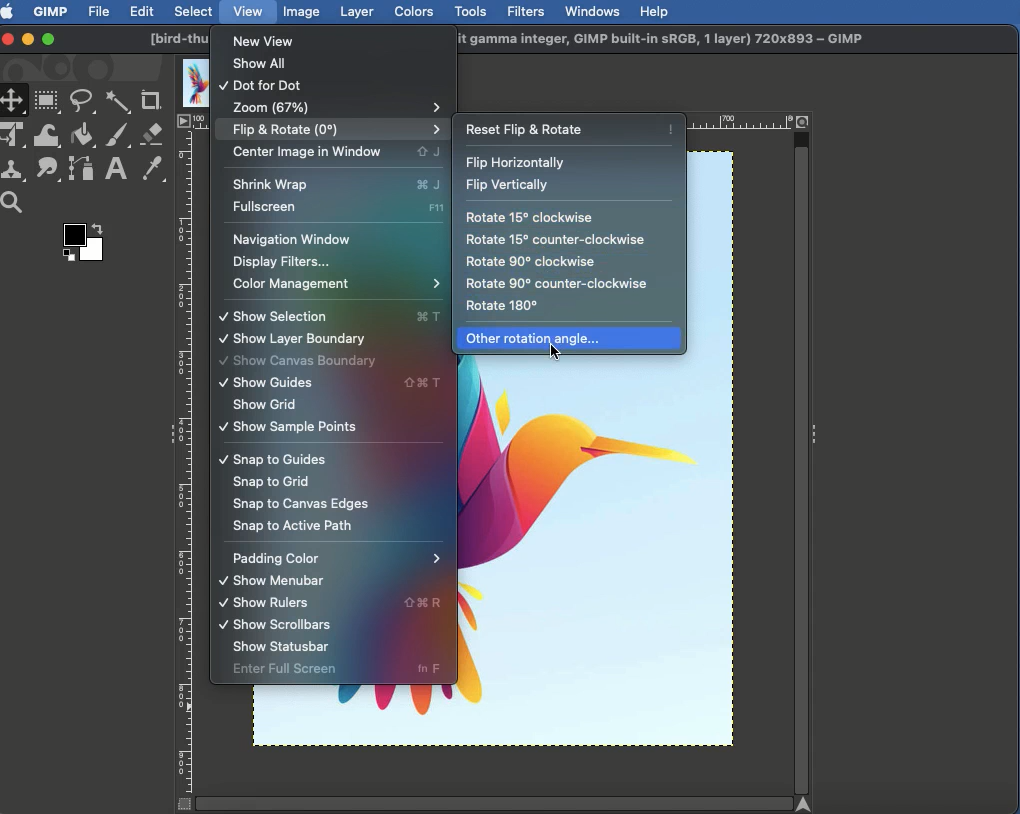 The height and width of the screenshot is (814, 1020). I want to click on Flip vertical, so click(506, 186).